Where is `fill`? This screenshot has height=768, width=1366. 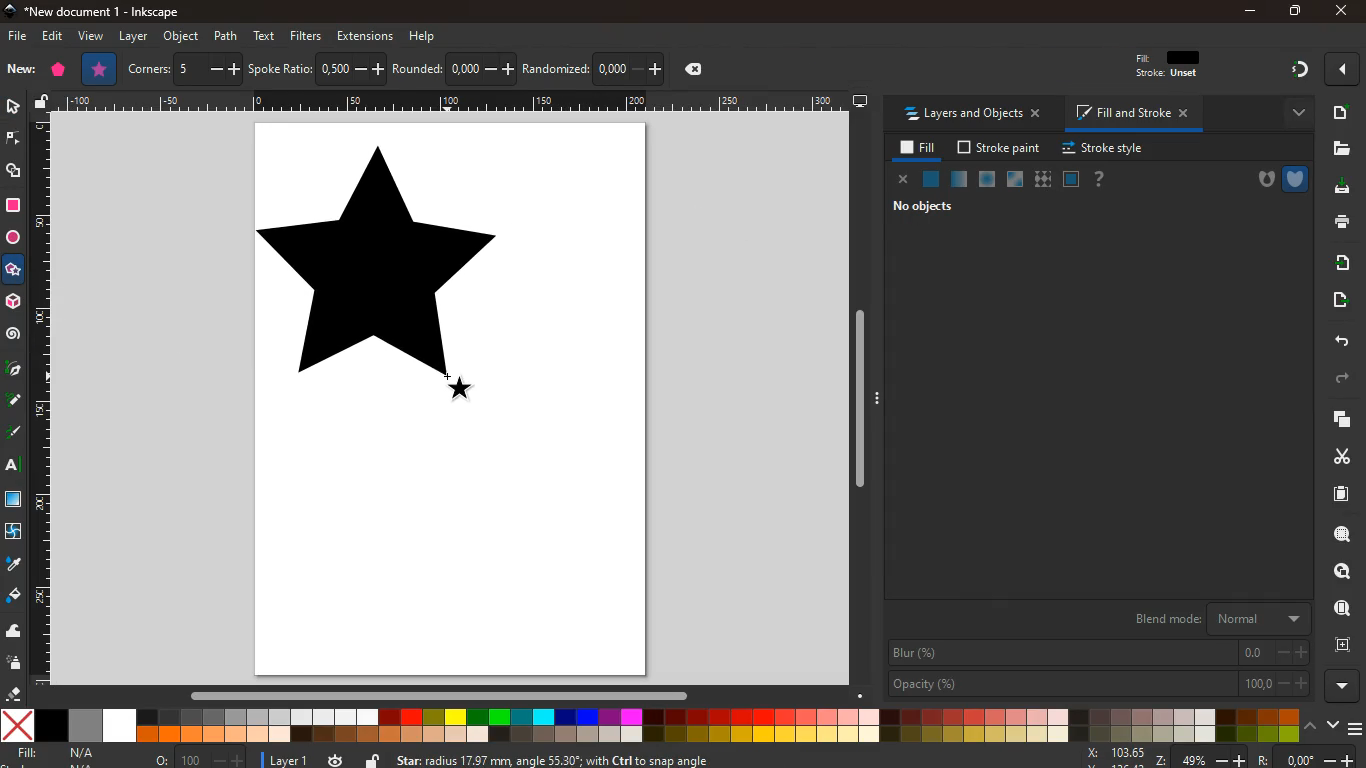
fill is located at coordinates (917, 148).